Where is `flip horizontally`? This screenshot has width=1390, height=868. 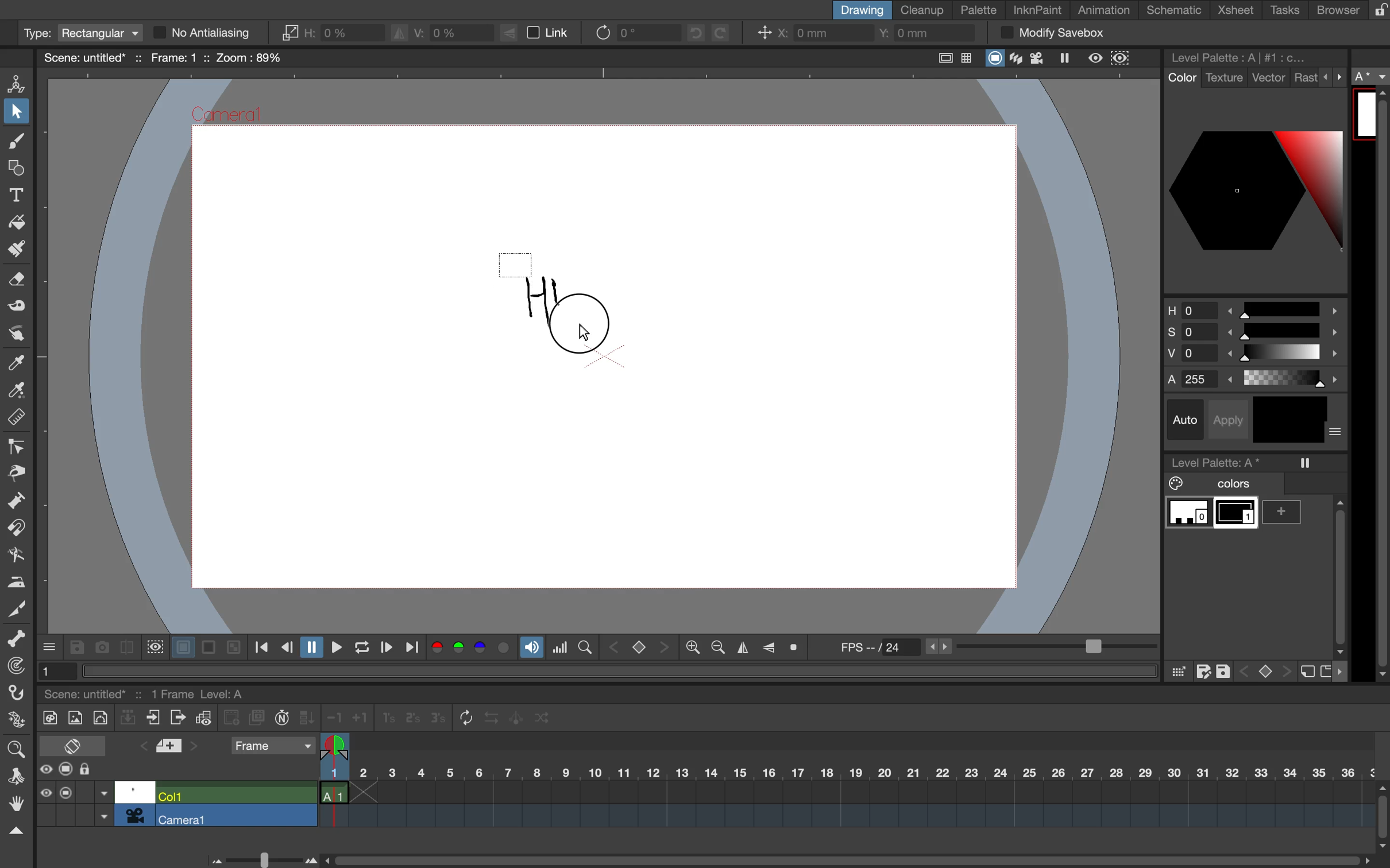
flip horizontally is located at coordinates (740, 648).